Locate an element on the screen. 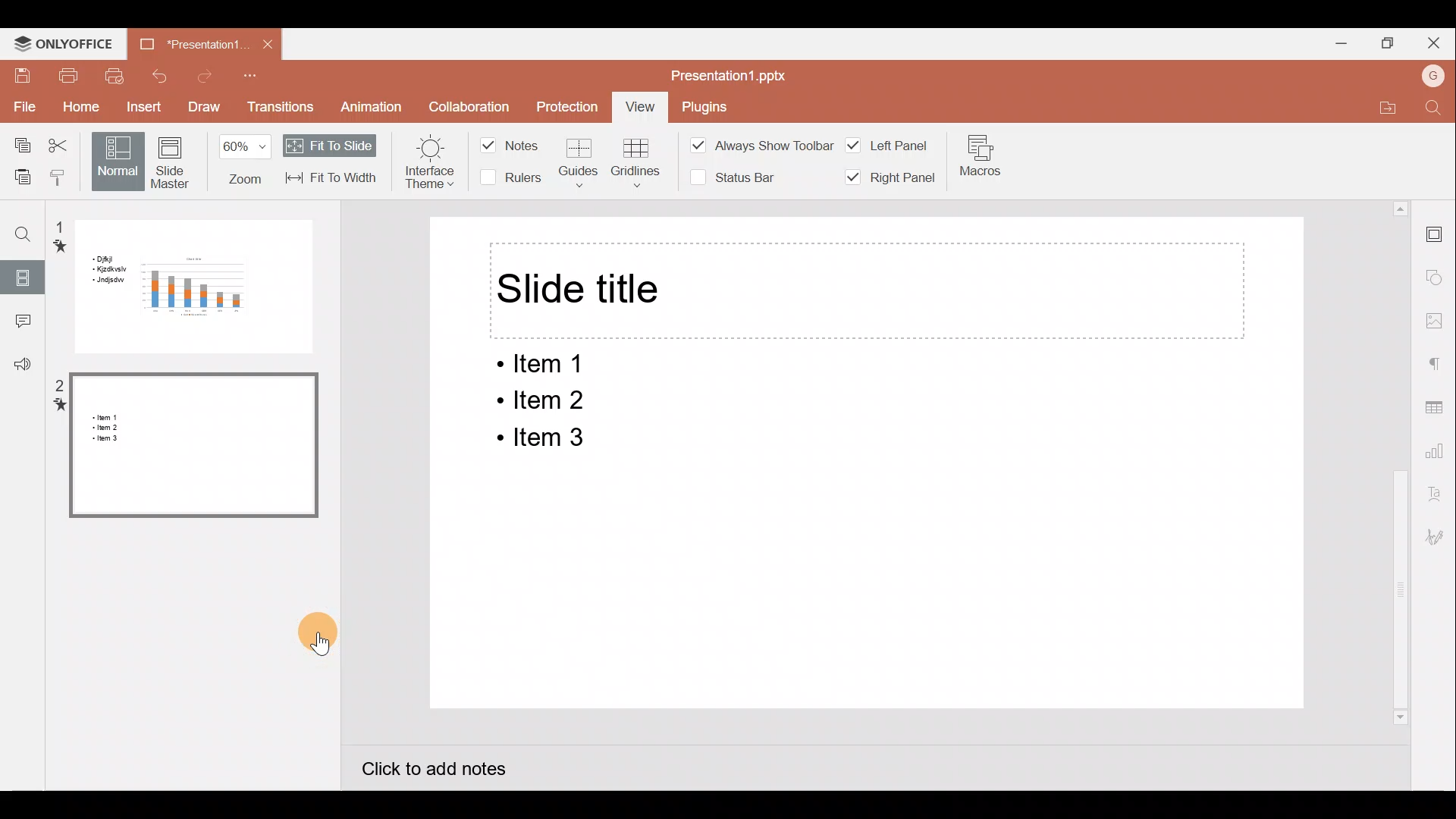  Account name is located at coordinates (1428, 77).